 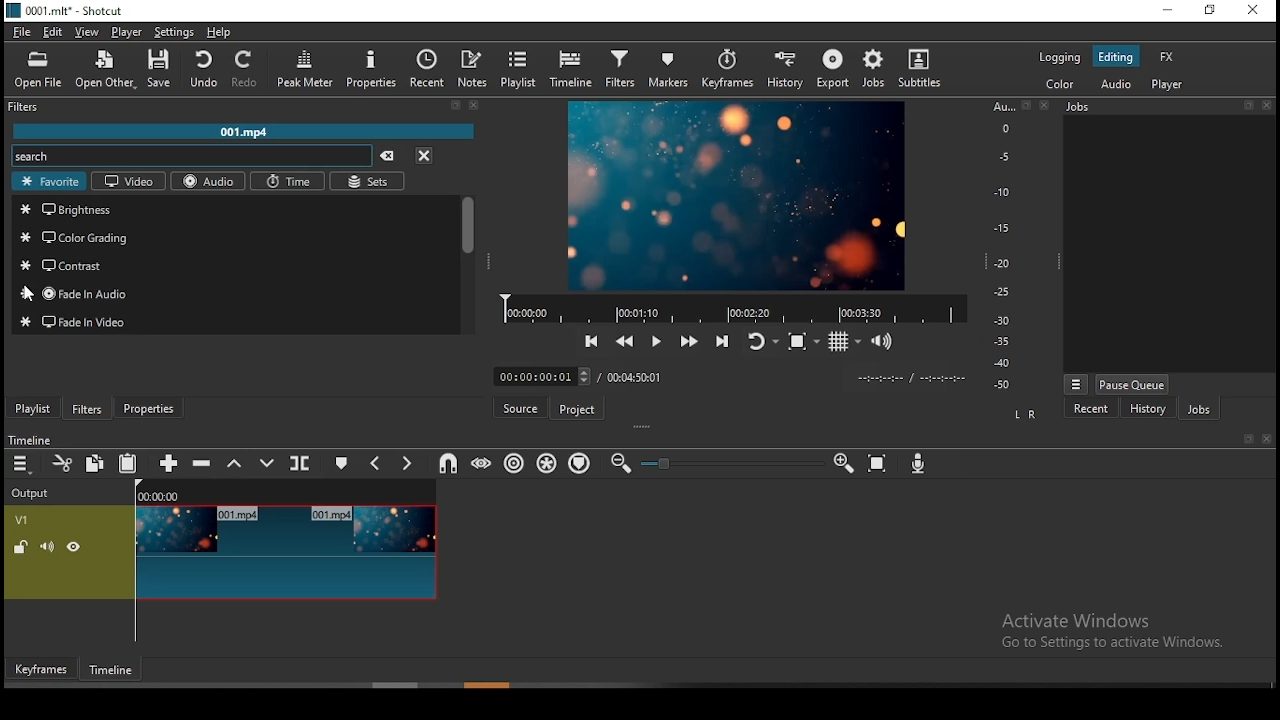 What do you see at coordinates (406, 461) in the screenshot?
I see `next marker` at bounding box center [406, 461].